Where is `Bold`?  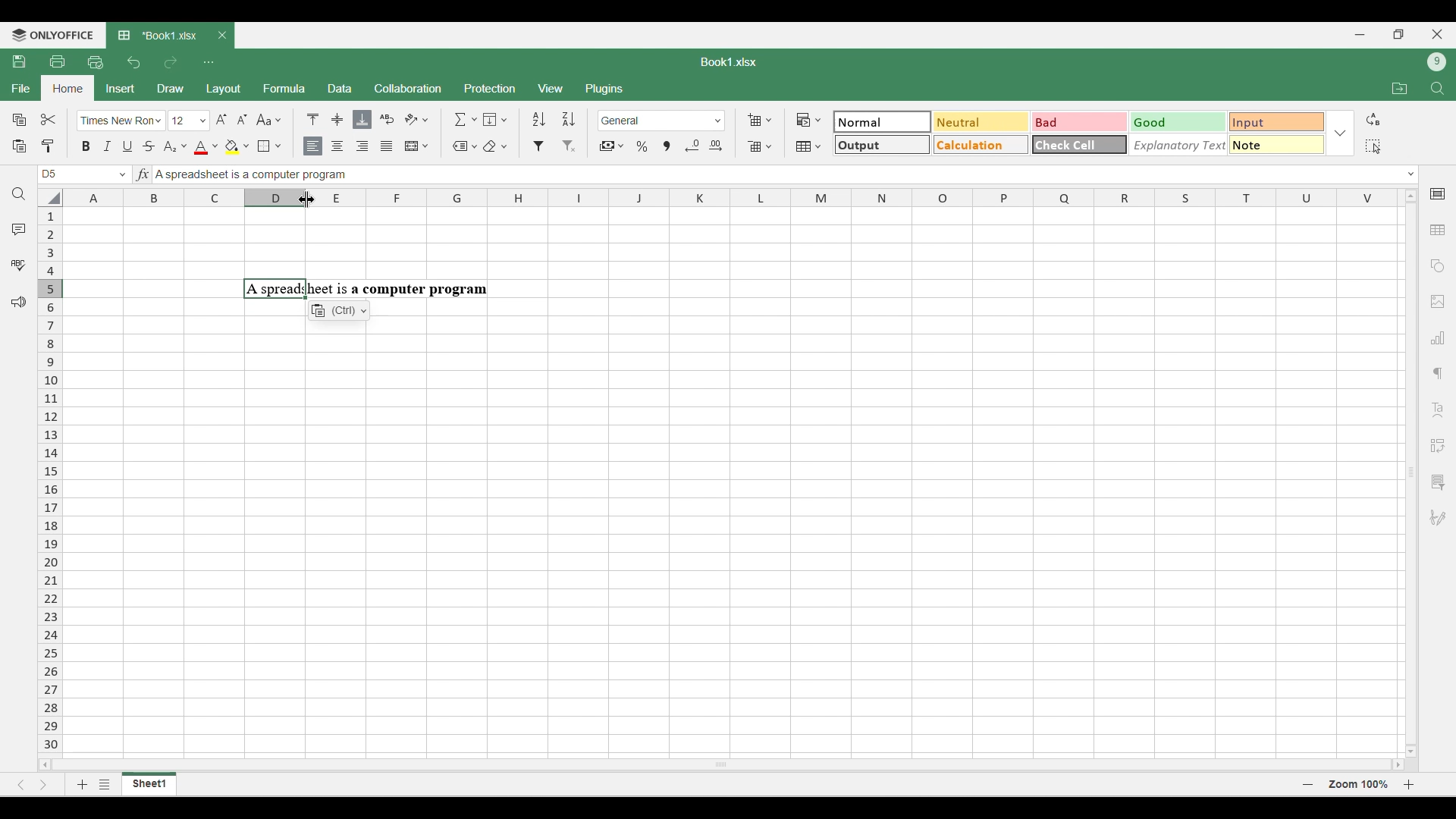 Bold is located at coordinates (86, 146).